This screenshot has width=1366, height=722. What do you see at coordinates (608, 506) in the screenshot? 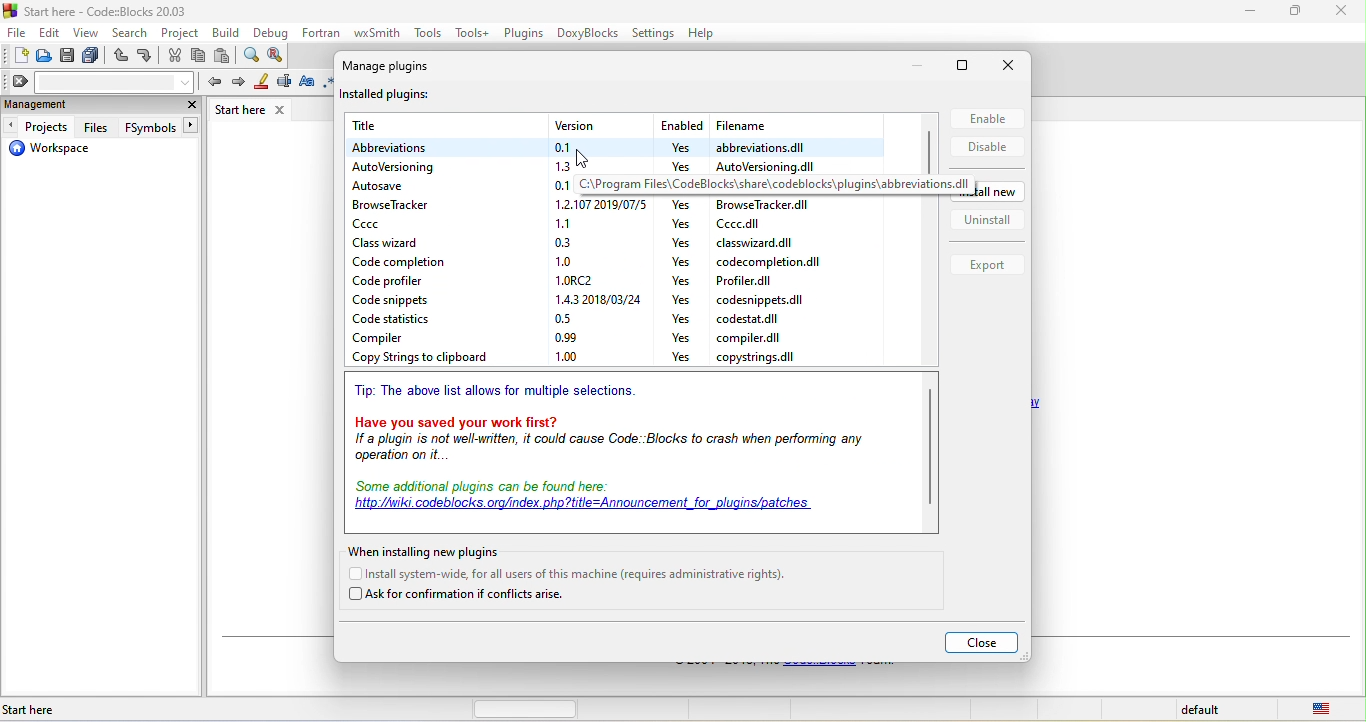
I see `some additional plugins can be found here` at bounding box center [608, 506].